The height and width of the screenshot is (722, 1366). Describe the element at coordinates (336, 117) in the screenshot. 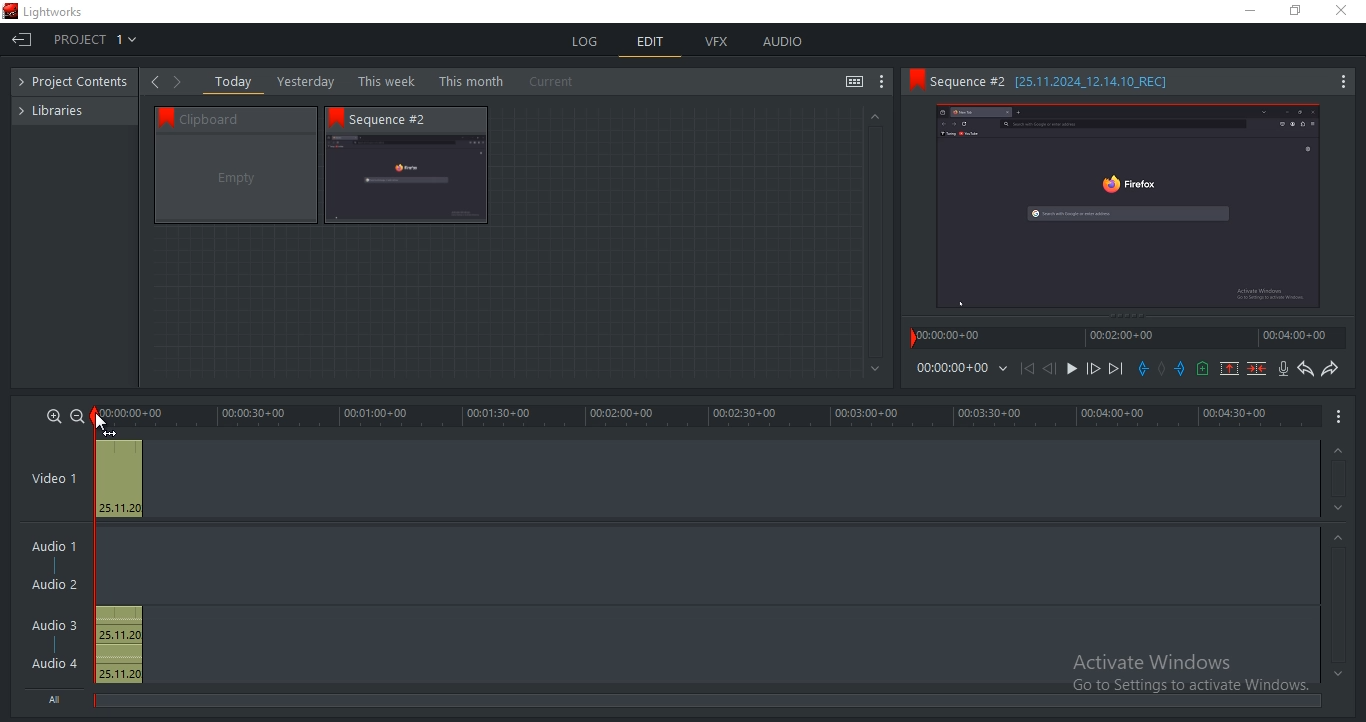

I see `Bookmark icon` at that location.